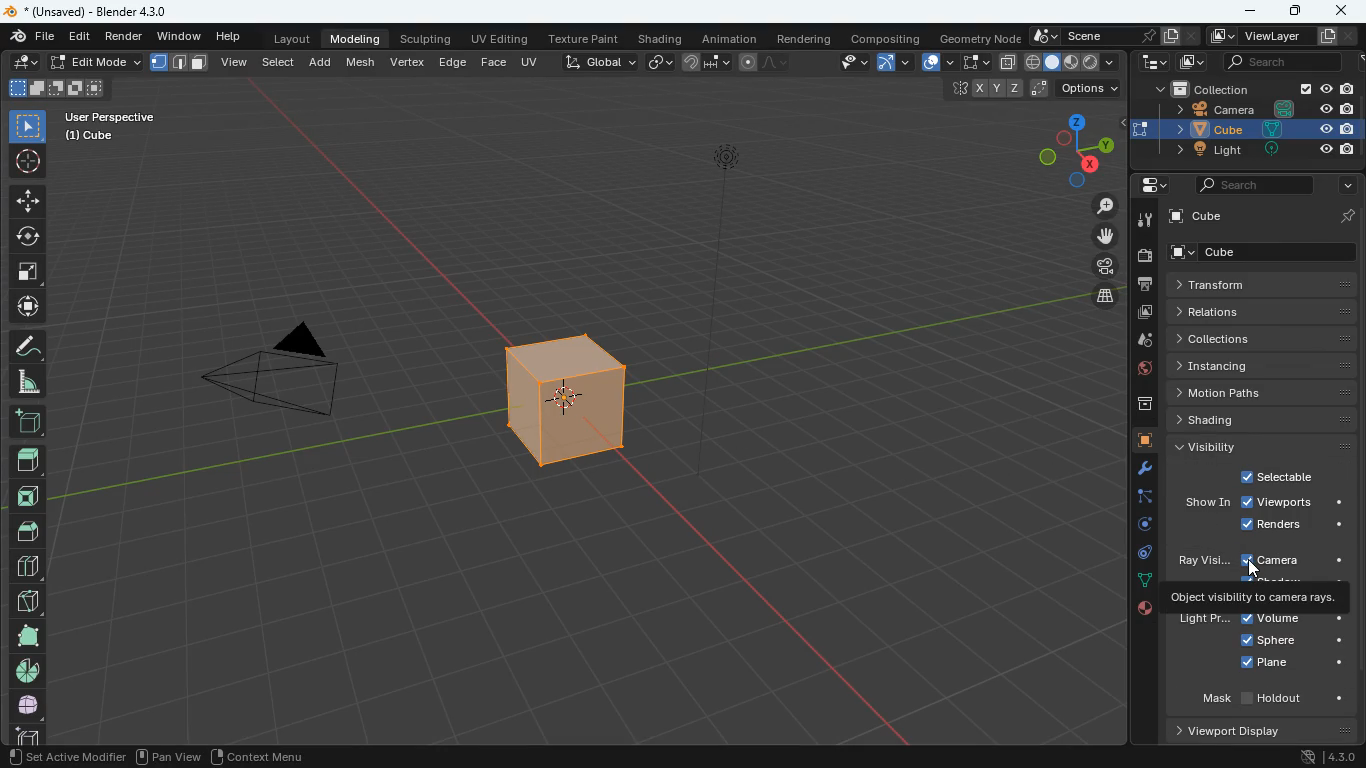  I want to click on collections, so click(1258, 339).